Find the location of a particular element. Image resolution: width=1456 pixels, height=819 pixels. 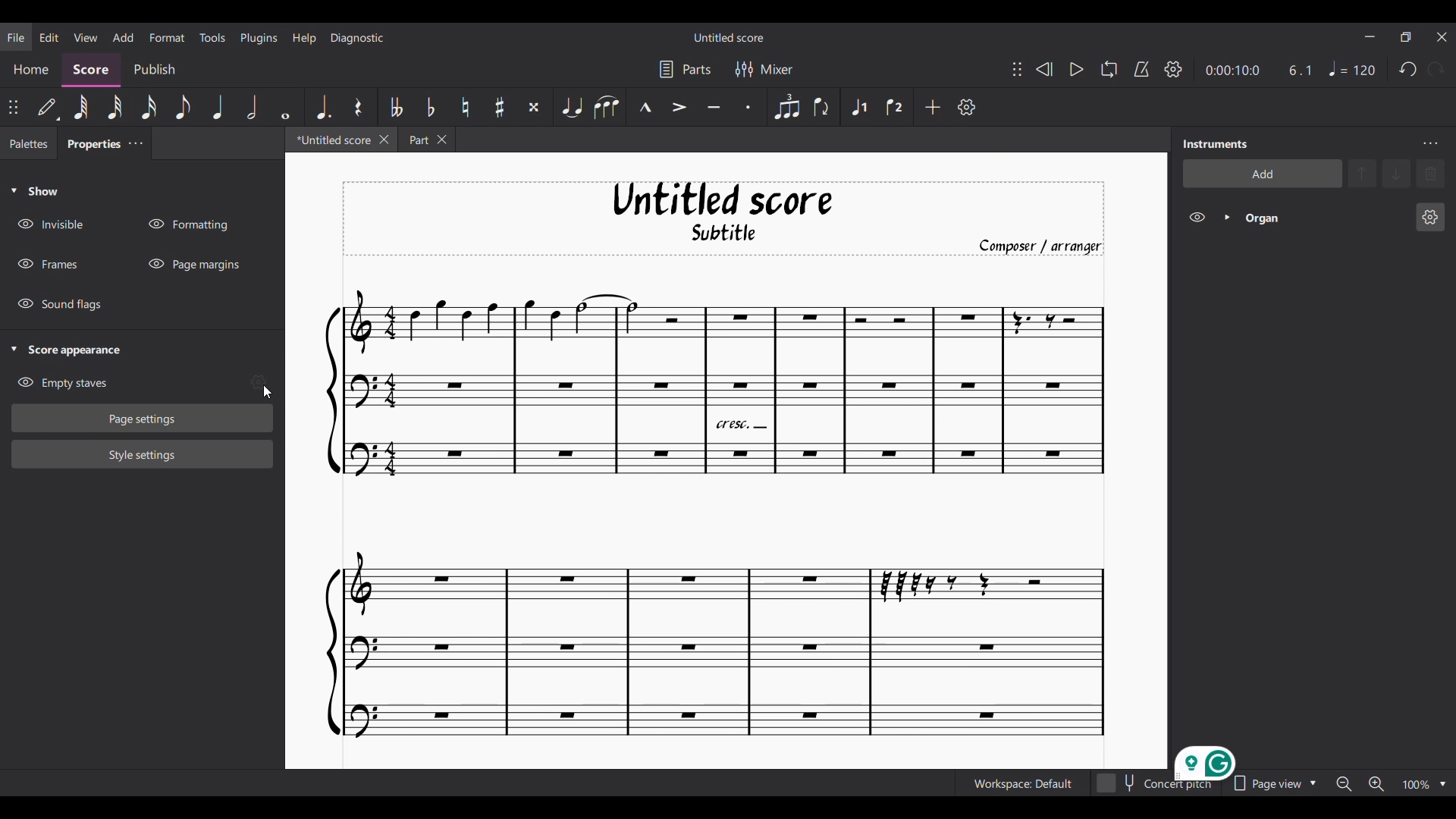

Rewind is located at coordinates (1044, 69).